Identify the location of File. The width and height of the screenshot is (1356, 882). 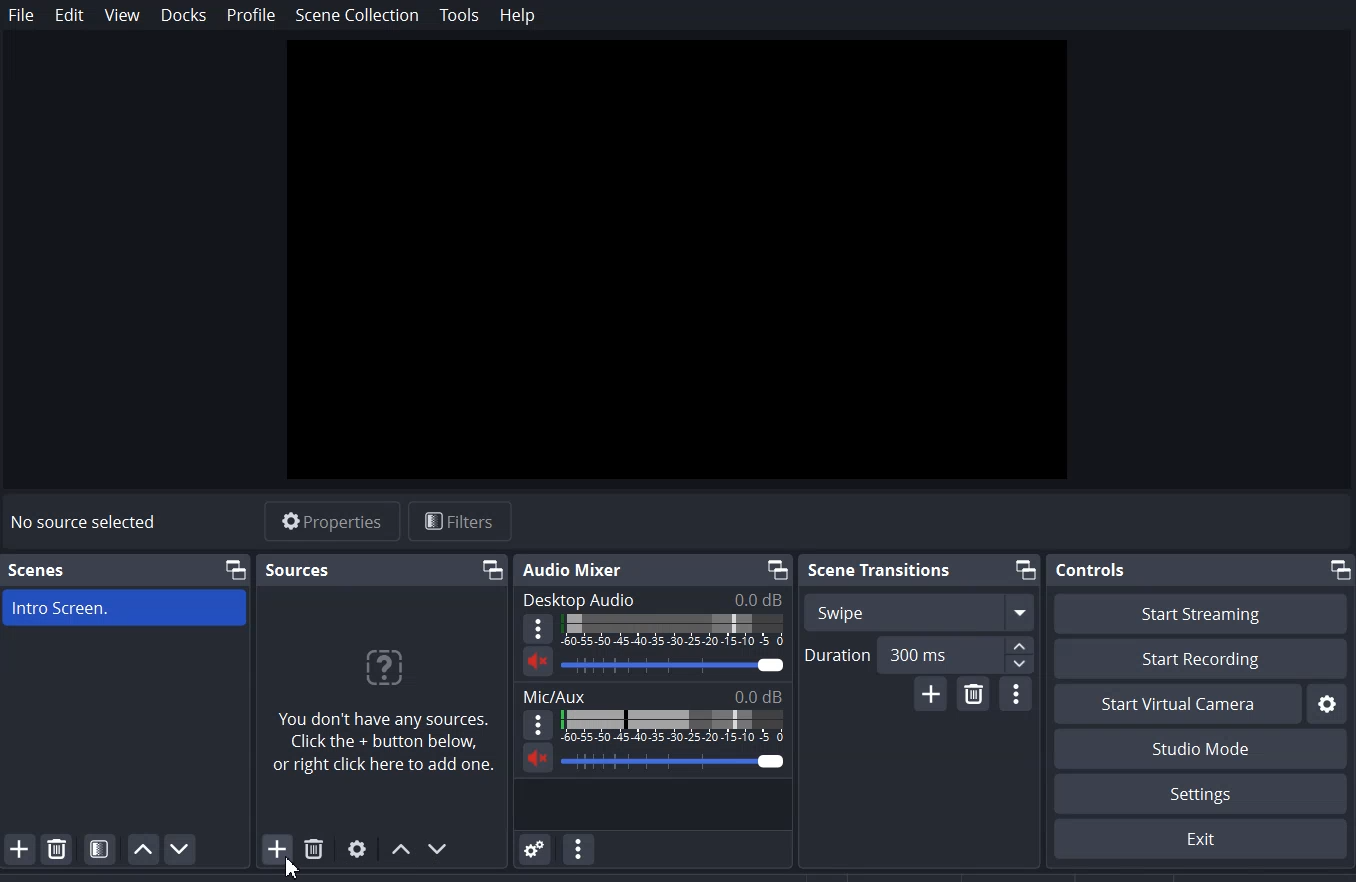
(21, 14).